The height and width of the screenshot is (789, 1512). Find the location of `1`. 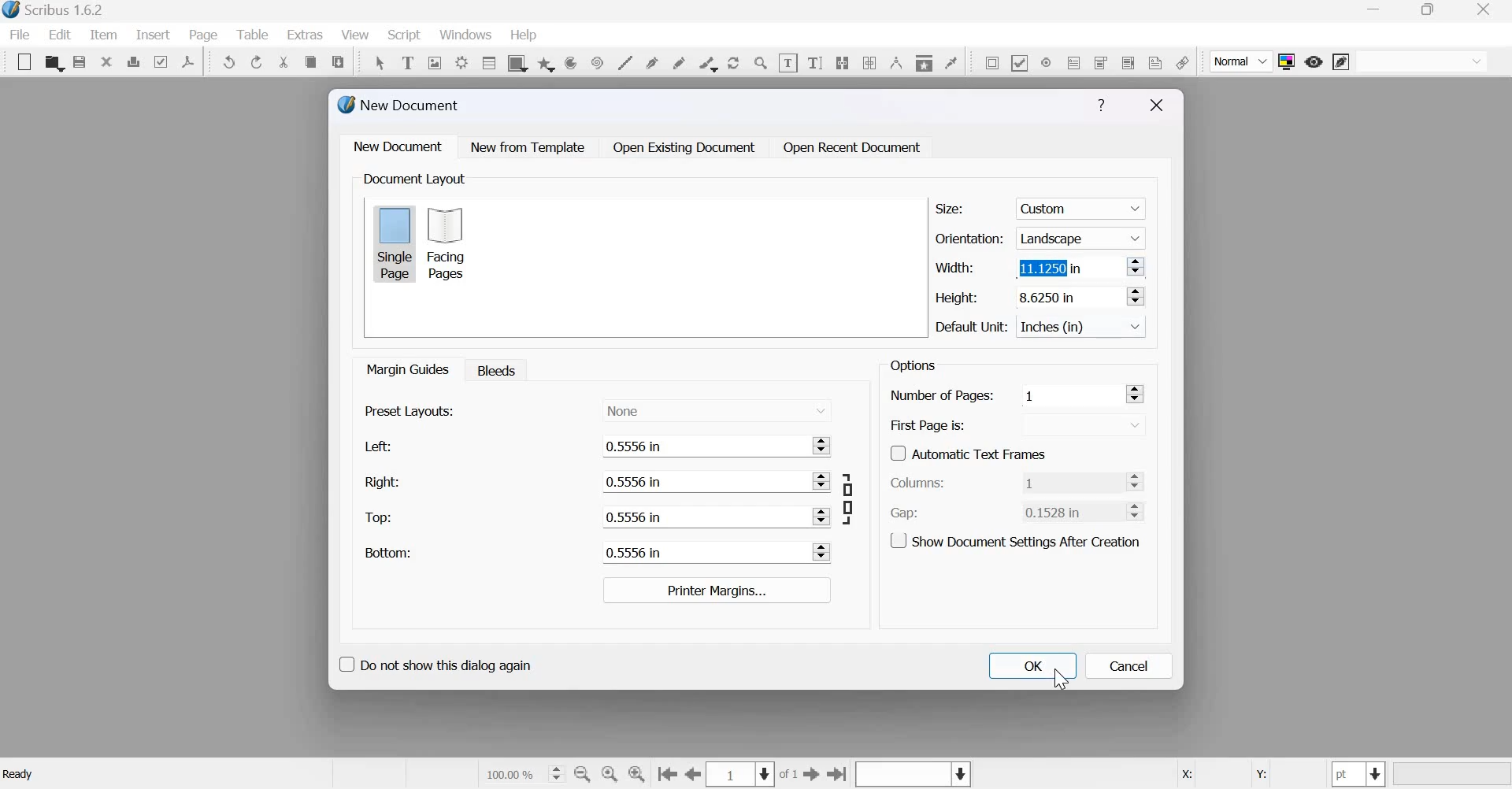

1 is located at coordinates (1071, 394).